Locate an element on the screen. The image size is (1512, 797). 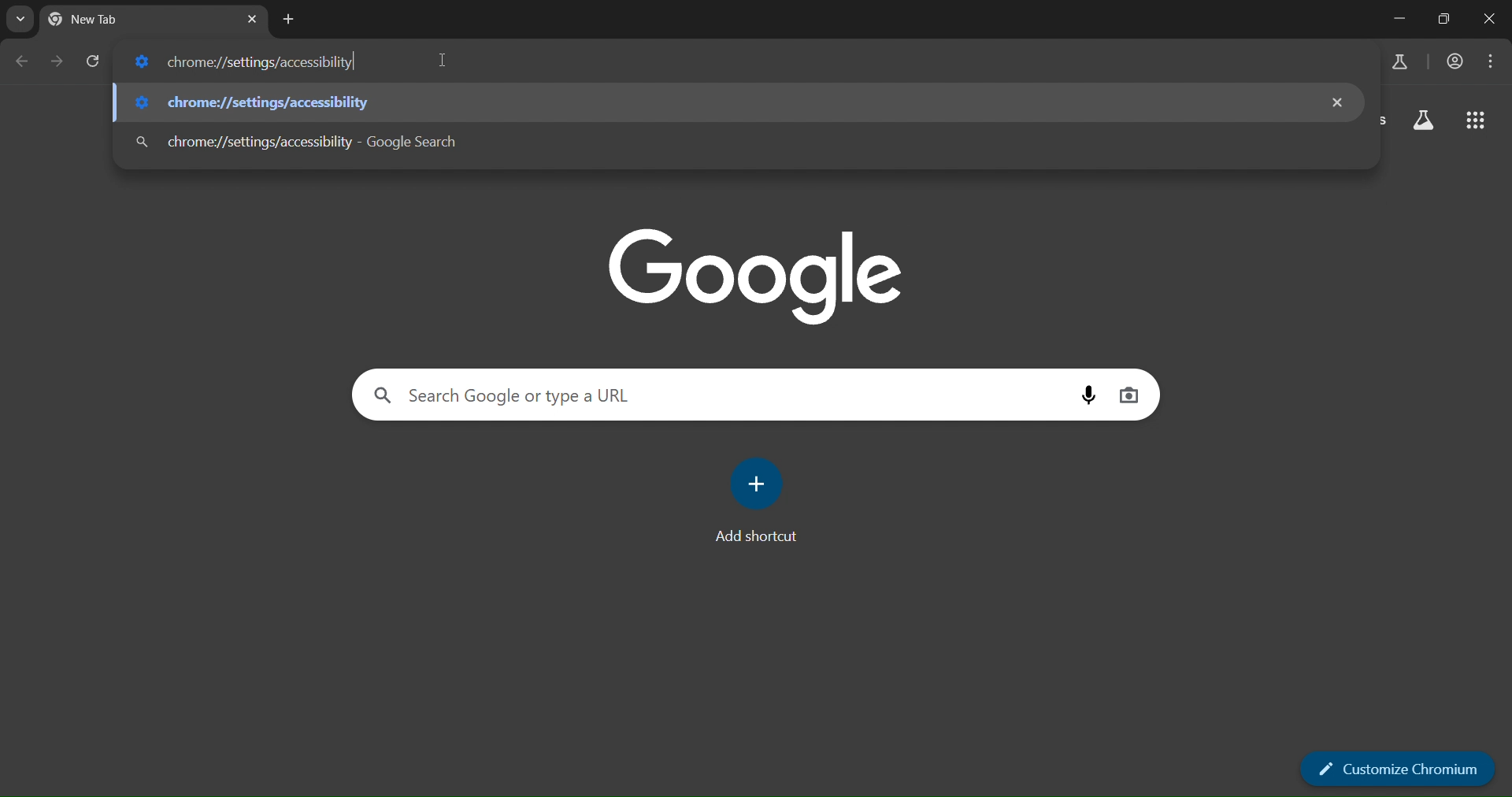
voice search is located at coordinates (1088, 395).